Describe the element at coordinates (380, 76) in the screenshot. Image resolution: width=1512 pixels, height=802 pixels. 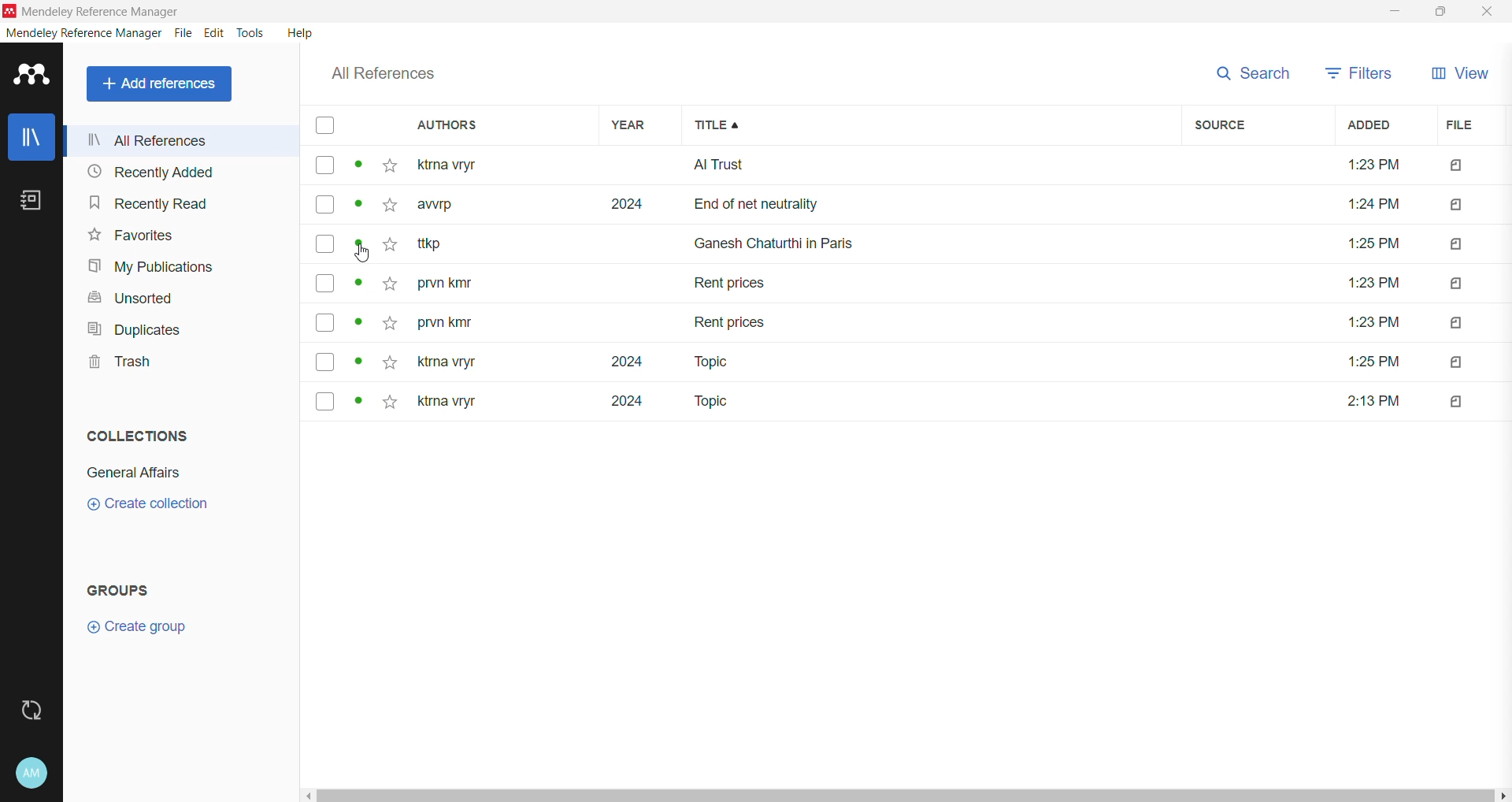
I see `All References` at that location.